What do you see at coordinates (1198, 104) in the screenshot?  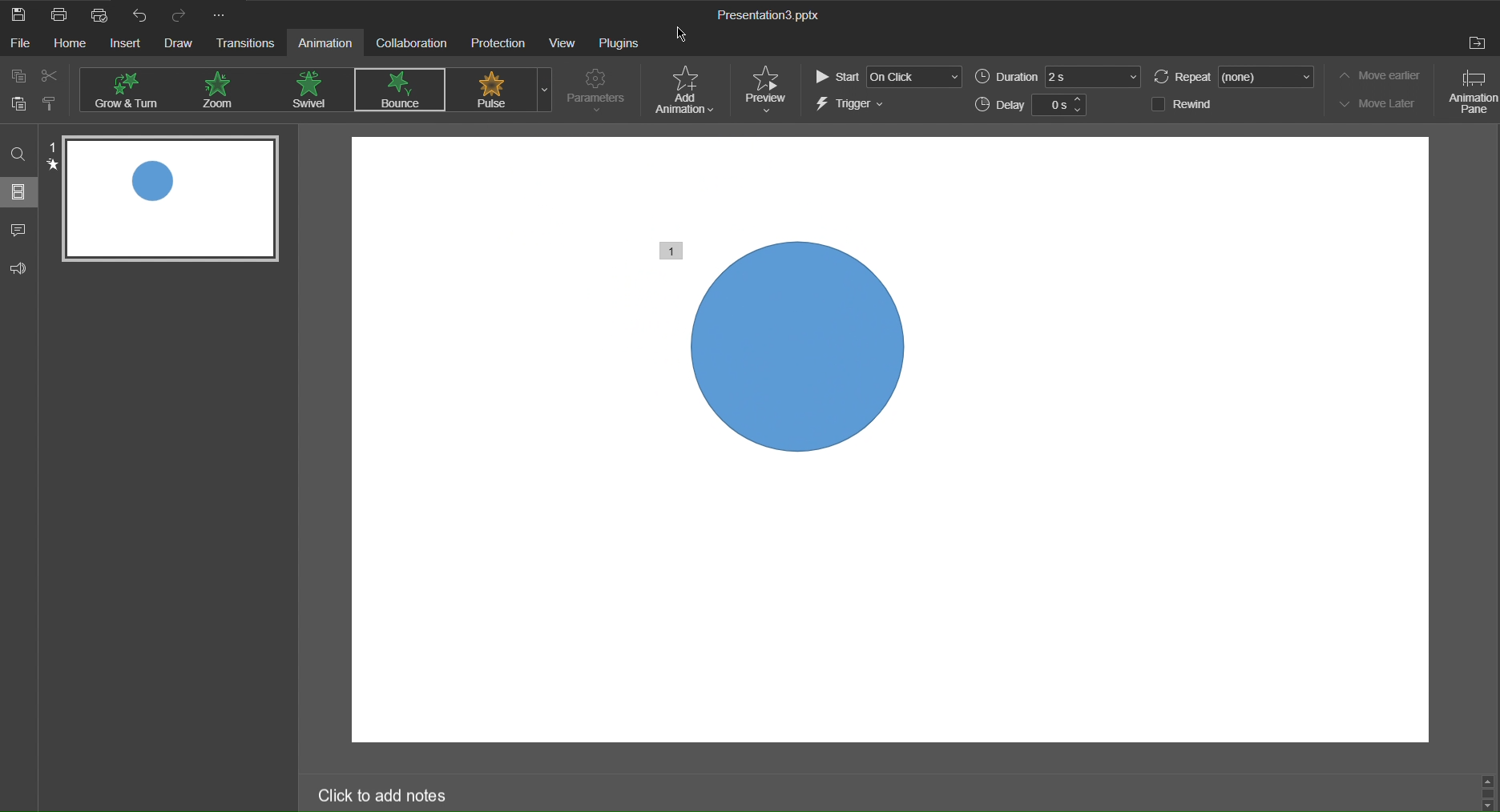 I see `Rewind` at bounding box center [1198, 104].